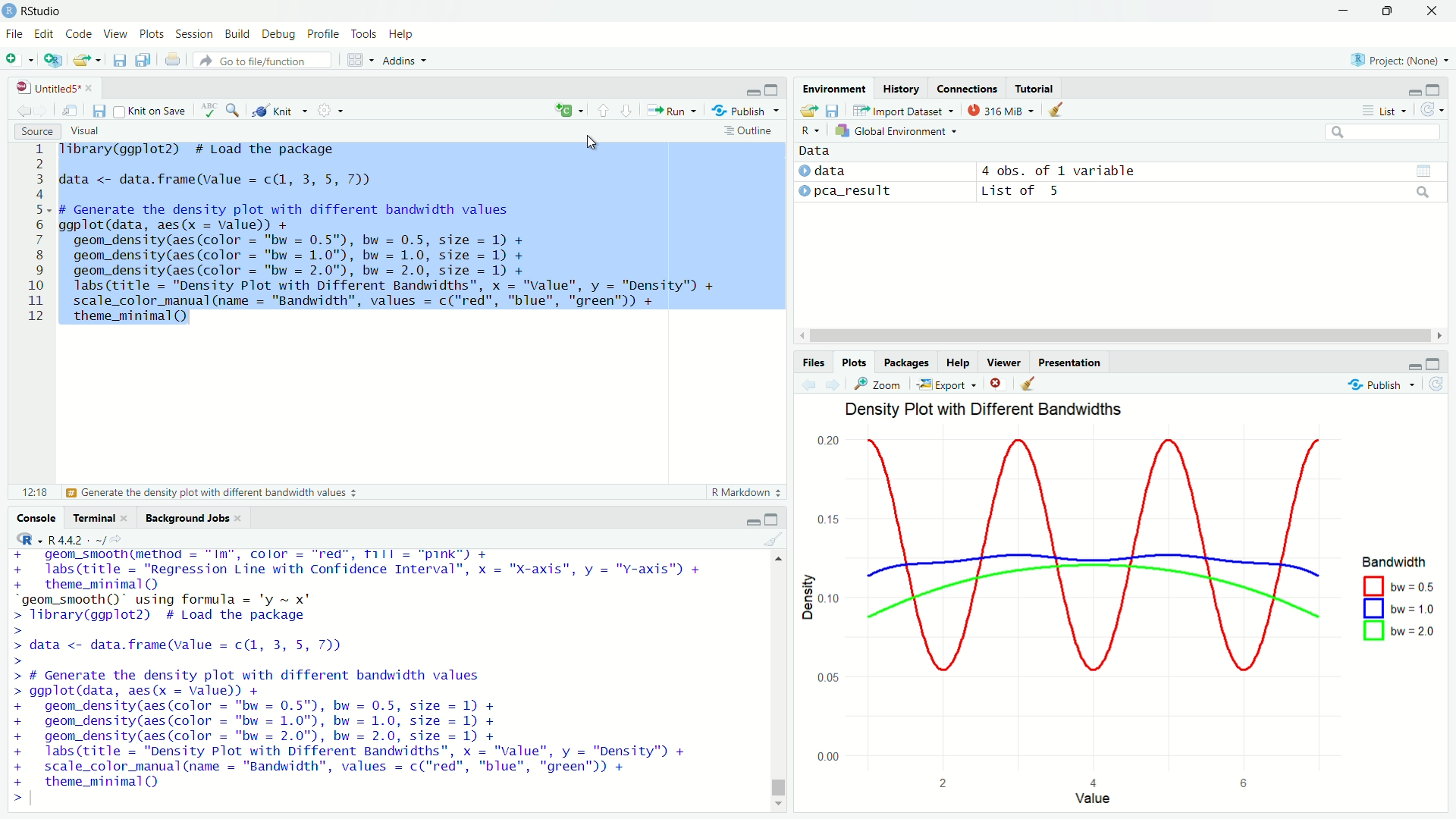 The width and height of the screenshot is (1456, 819). I want to click on Print the current file, so click(174, 59).